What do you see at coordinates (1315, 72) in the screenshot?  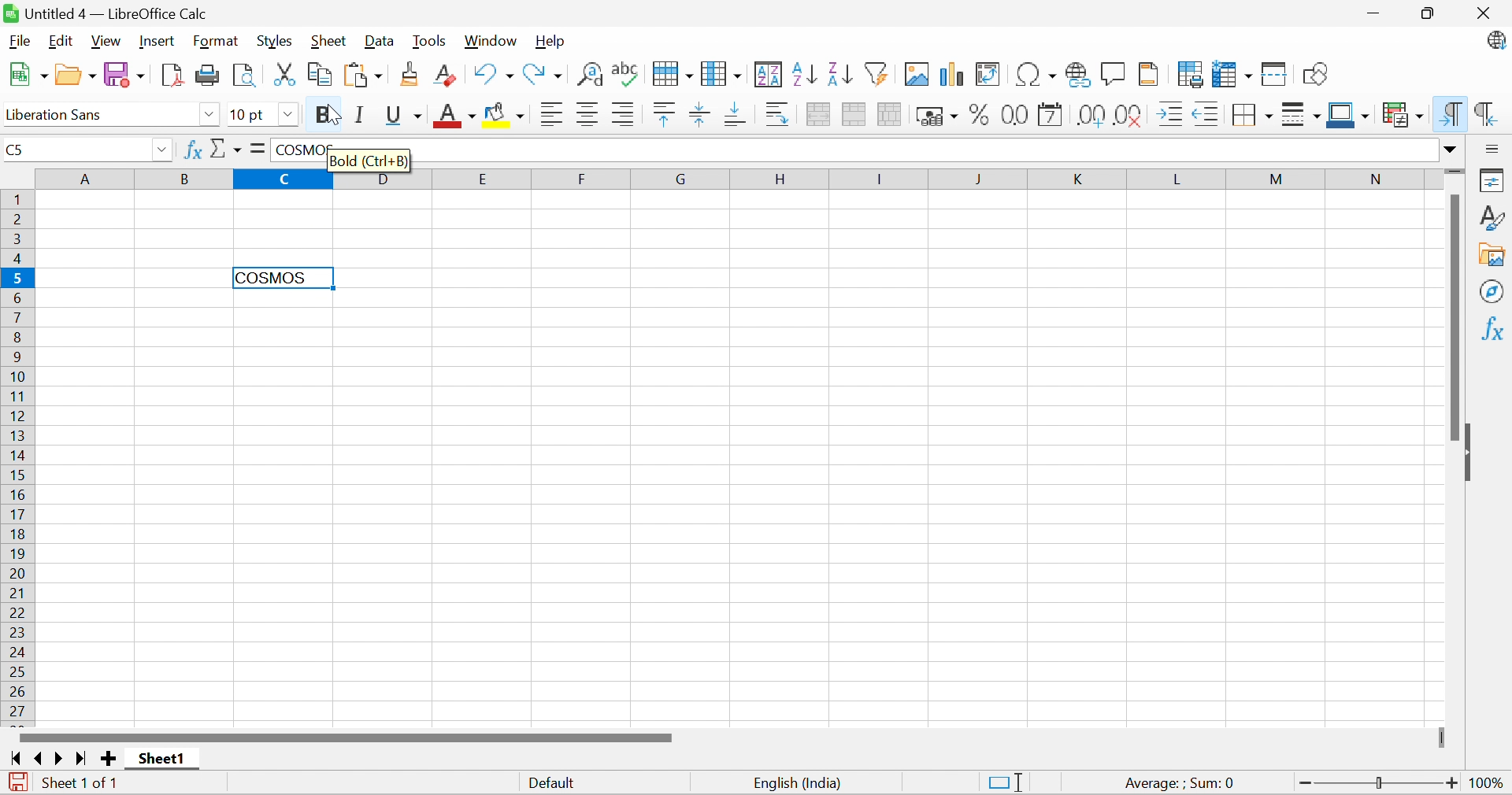 I see `Show Draw Functions` at bounding box center [1315, 72].